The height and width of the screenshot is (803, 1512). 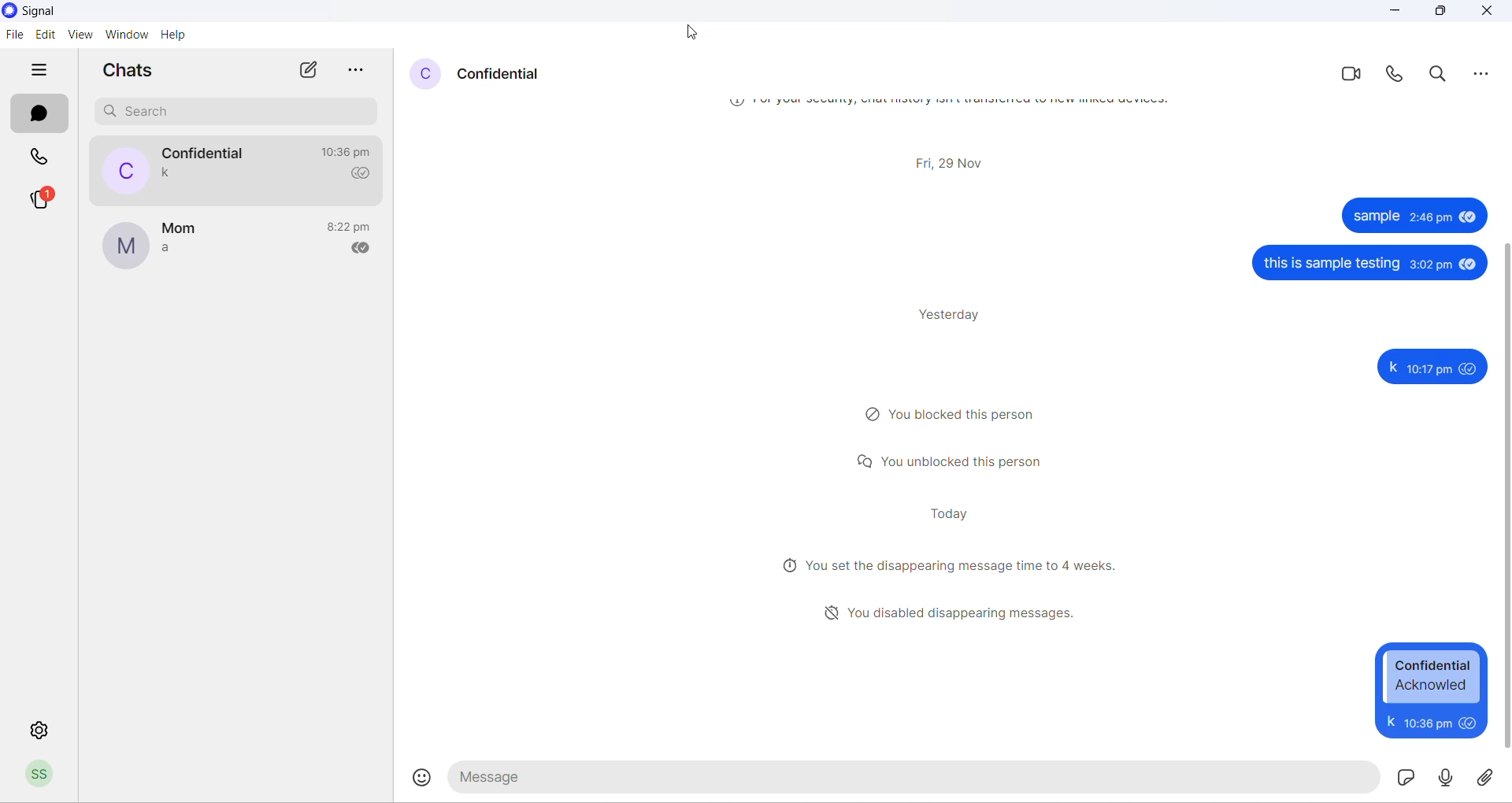 What do you see at coordinates (1392, 11) in the screenshot?
I see `minimize` at bounding box center [1392, 11].